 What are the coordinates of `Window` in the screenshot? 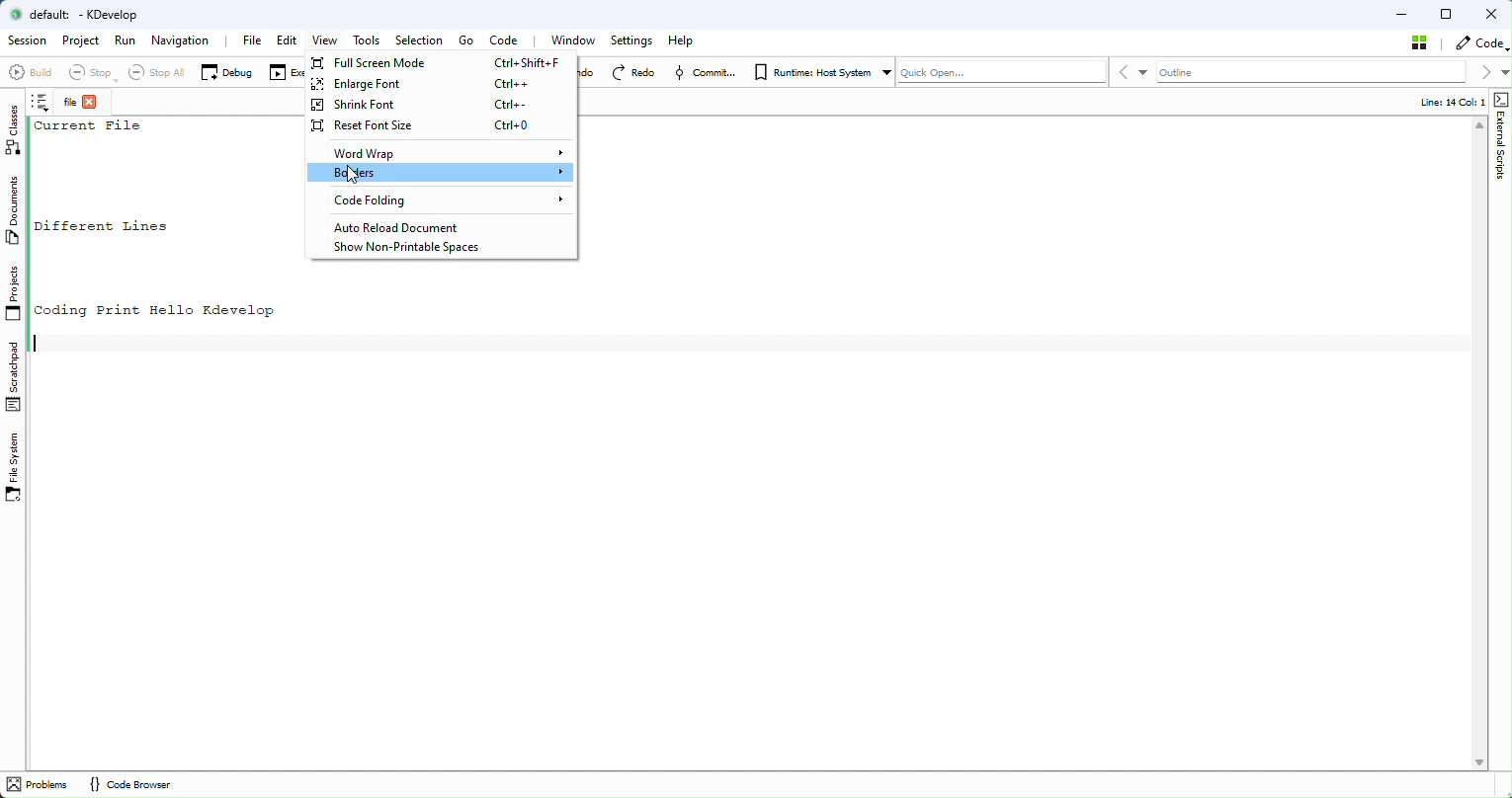 It's located at (577, 40).